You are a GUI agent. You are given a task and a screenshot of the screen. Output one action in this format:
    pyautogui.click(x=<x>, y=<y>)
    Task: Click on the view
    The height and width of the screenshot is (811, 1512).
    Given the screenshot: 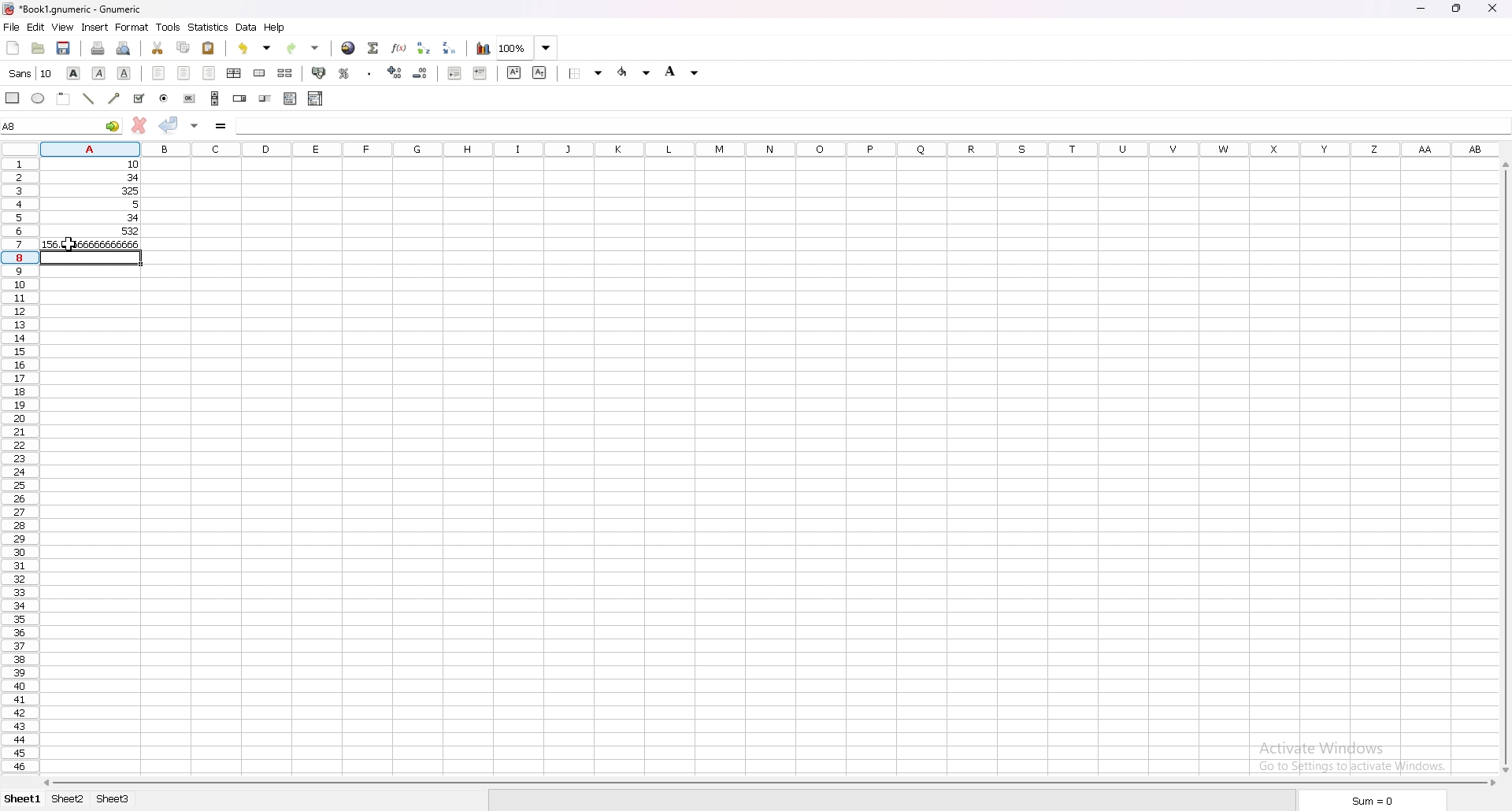 What is the action you would take?
    pyautogui.click(x=62, y=27)
    